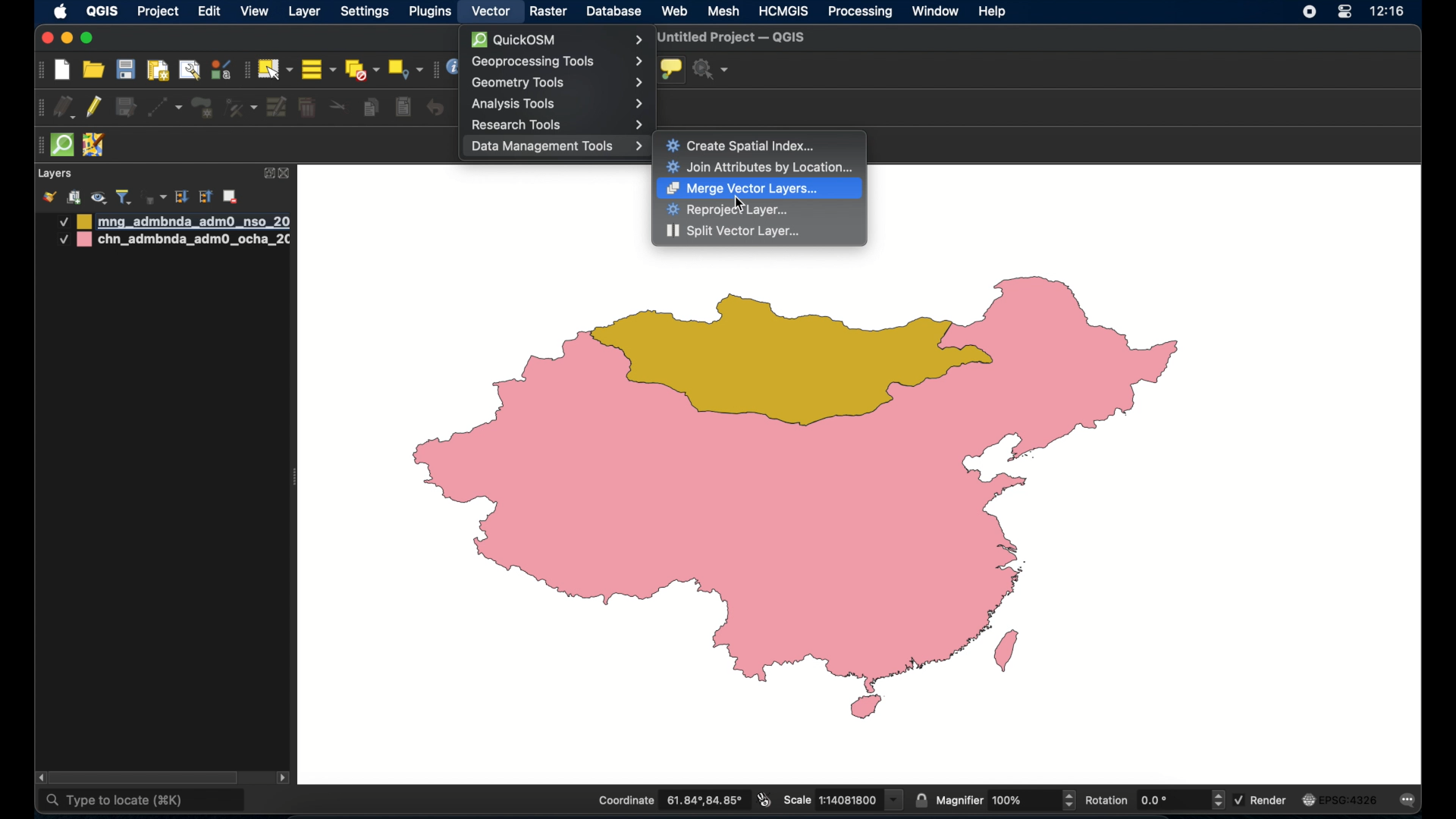  Describe the element at coordinates (181, 197) in the screenshot. I see `expand all` at that location.